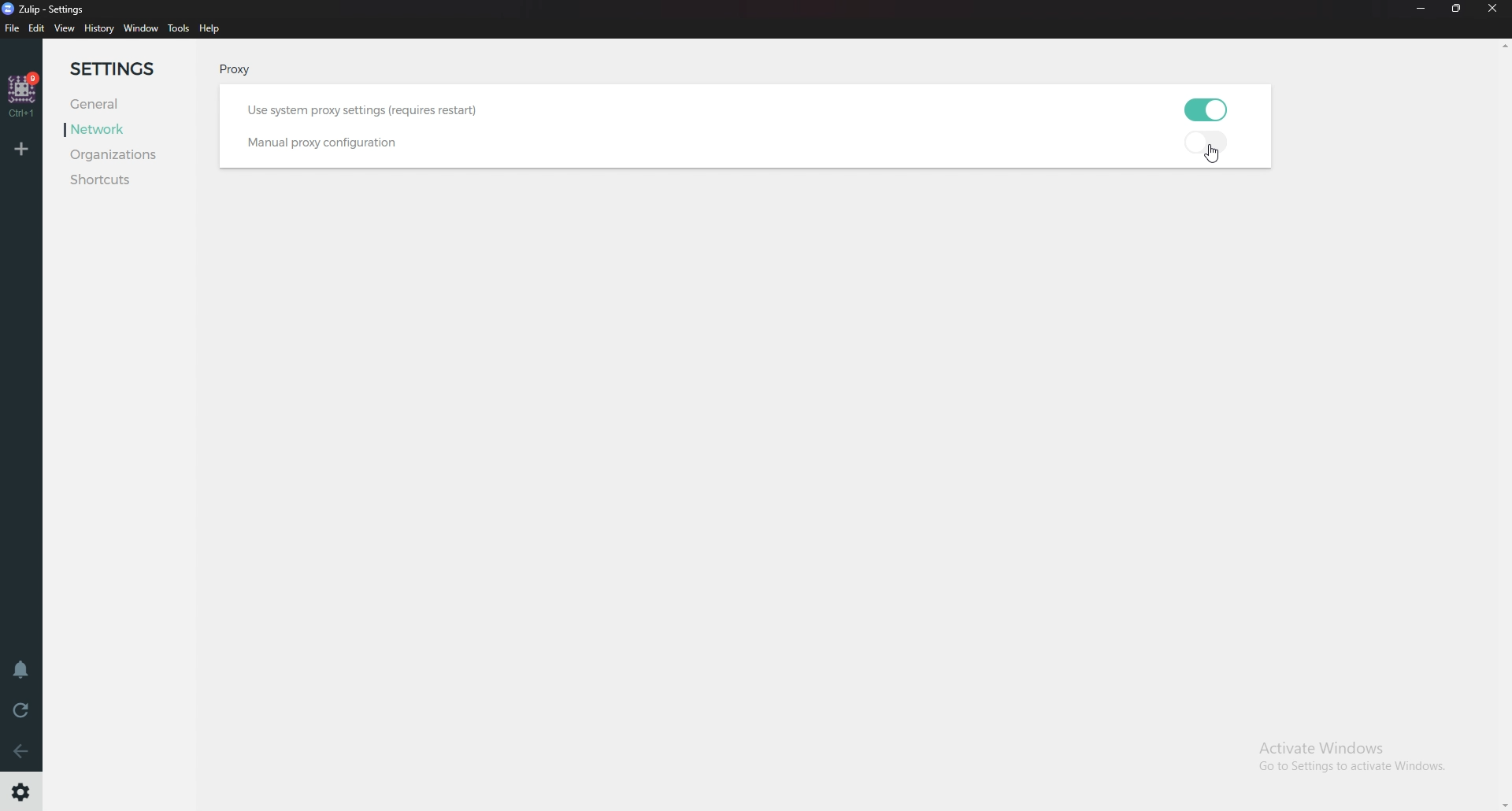 The height and width of the screenshot is (811, 1512). I want to click on Edit, so click(38, 29).